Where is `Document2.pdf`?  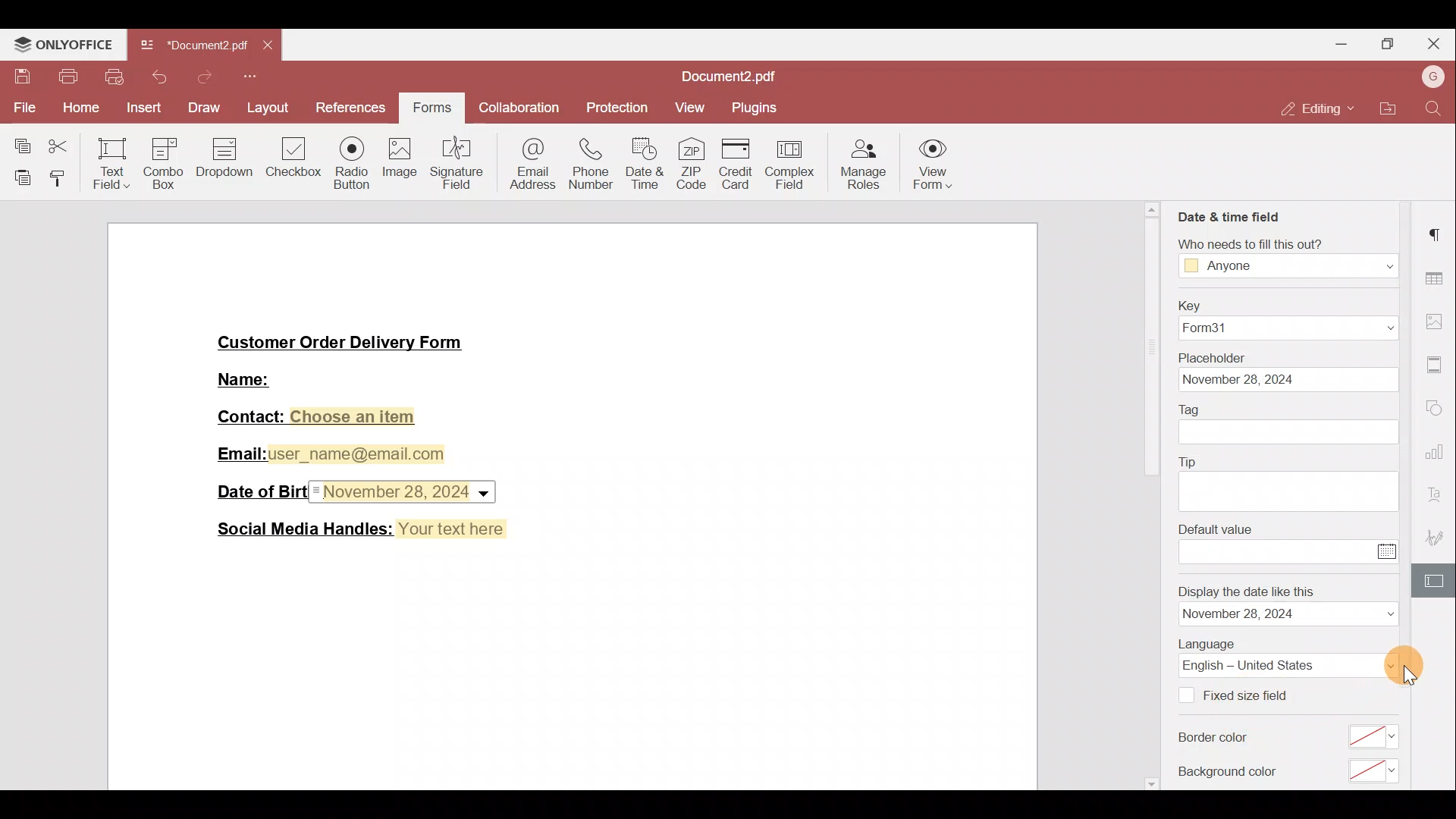
Document2.pdf is located at coordinates (193, 45).